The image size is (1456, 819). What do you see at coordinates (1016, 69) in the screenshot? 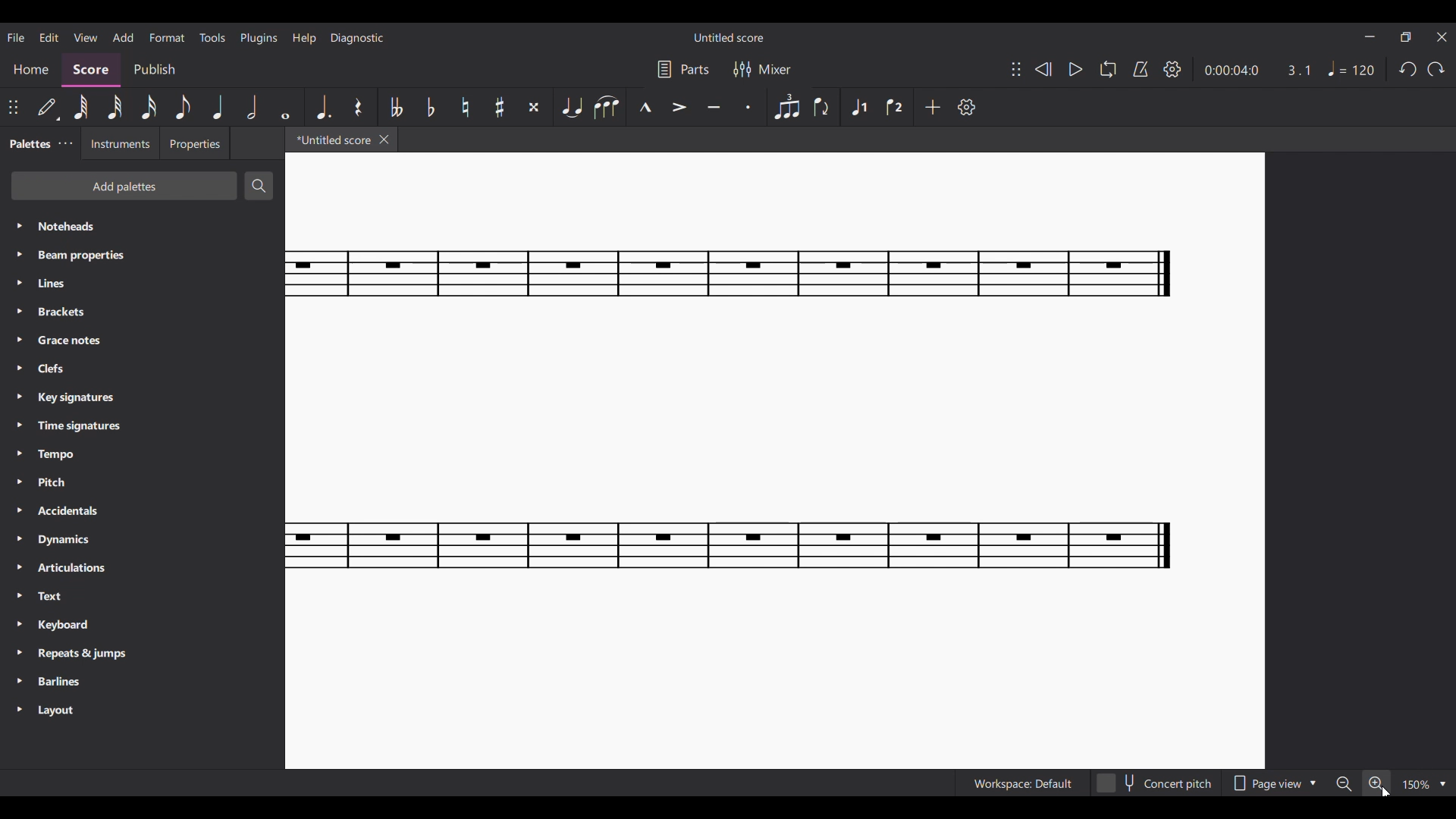
I see `Change position` at bounding box center [1016, 69].